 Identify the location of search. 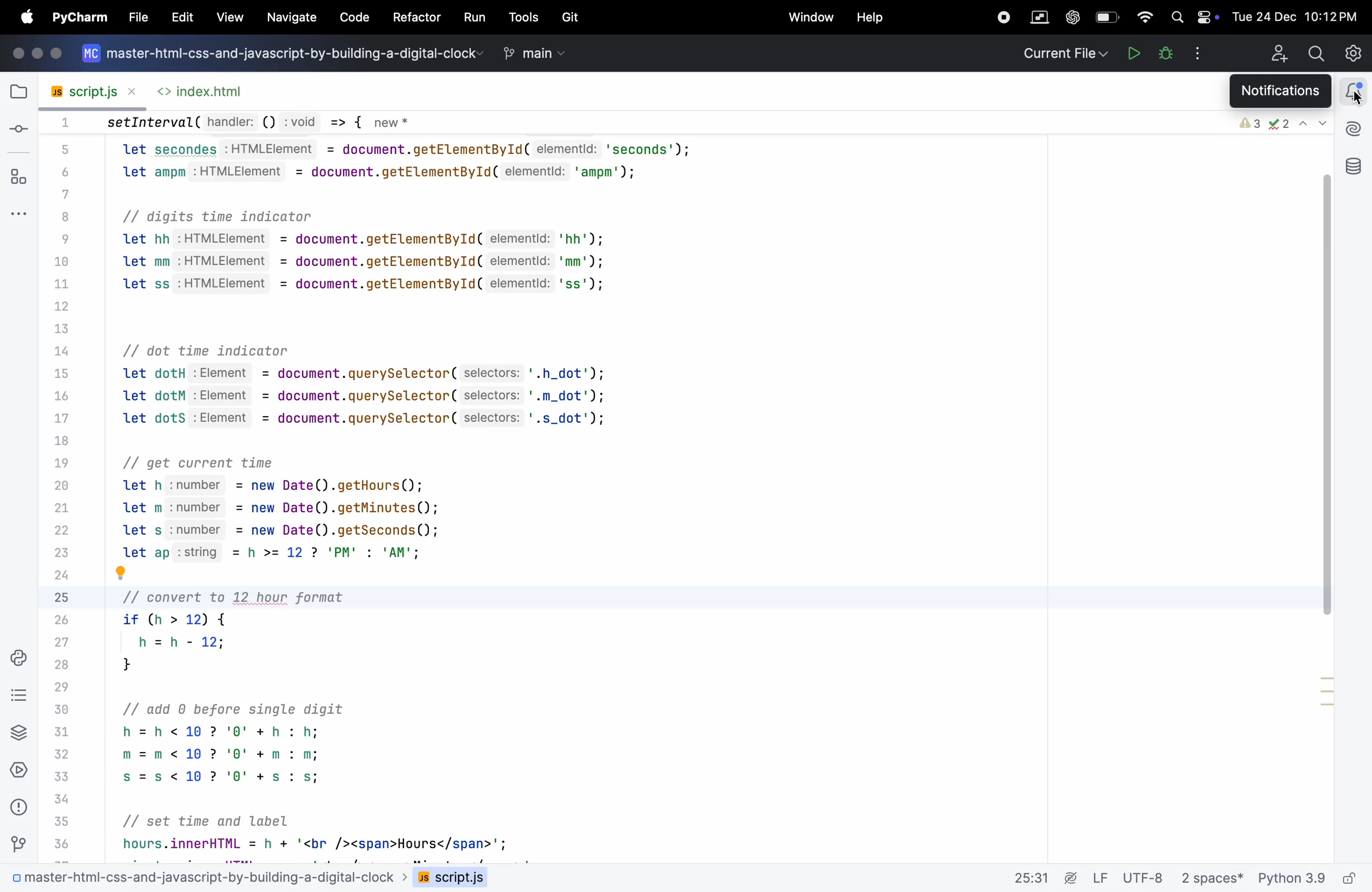
(1313, 53).